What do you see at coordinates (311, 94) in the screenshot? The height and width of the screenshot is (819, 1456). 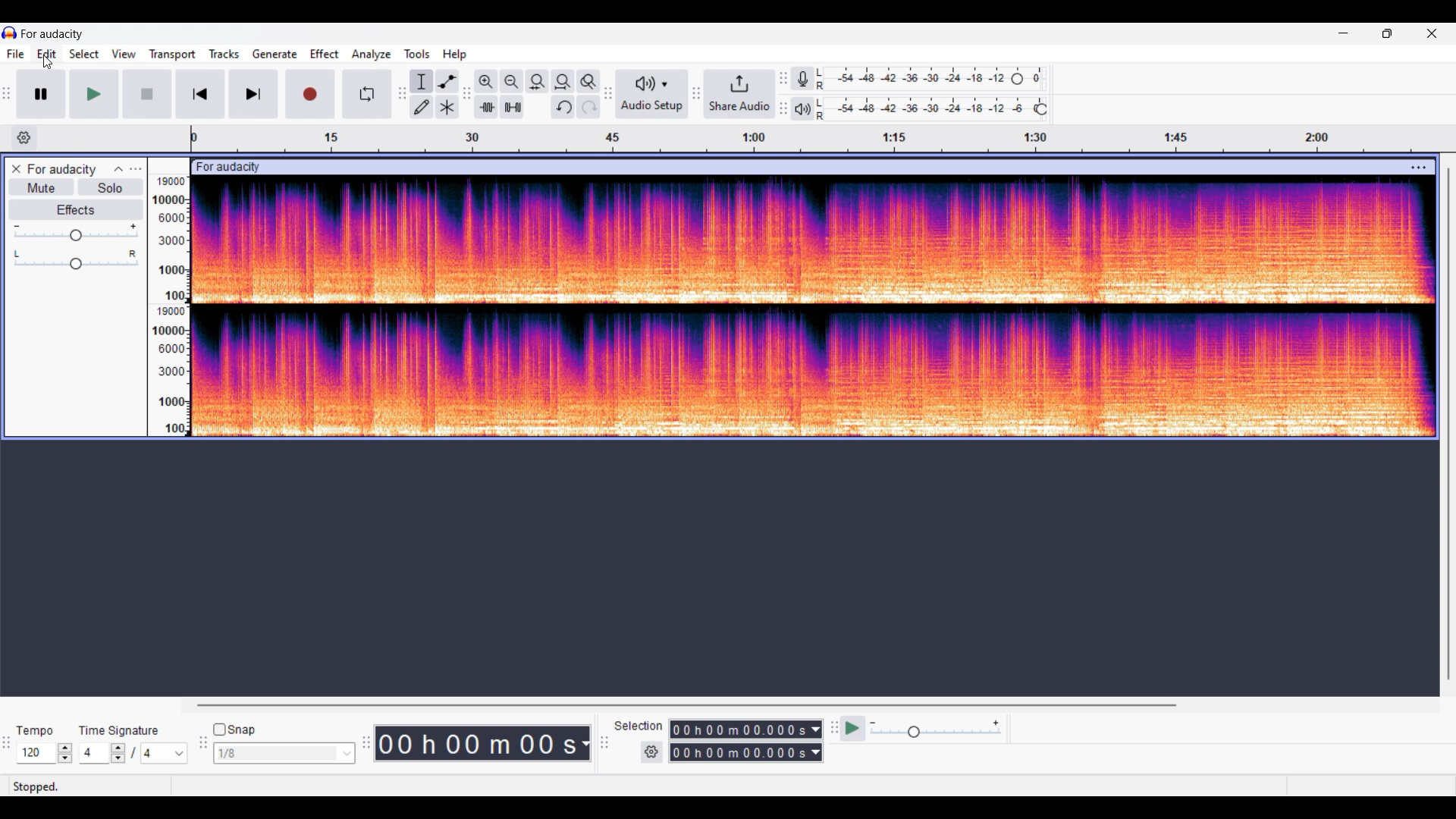 I see `Record/Record new track` at bounding box center [311, 94].